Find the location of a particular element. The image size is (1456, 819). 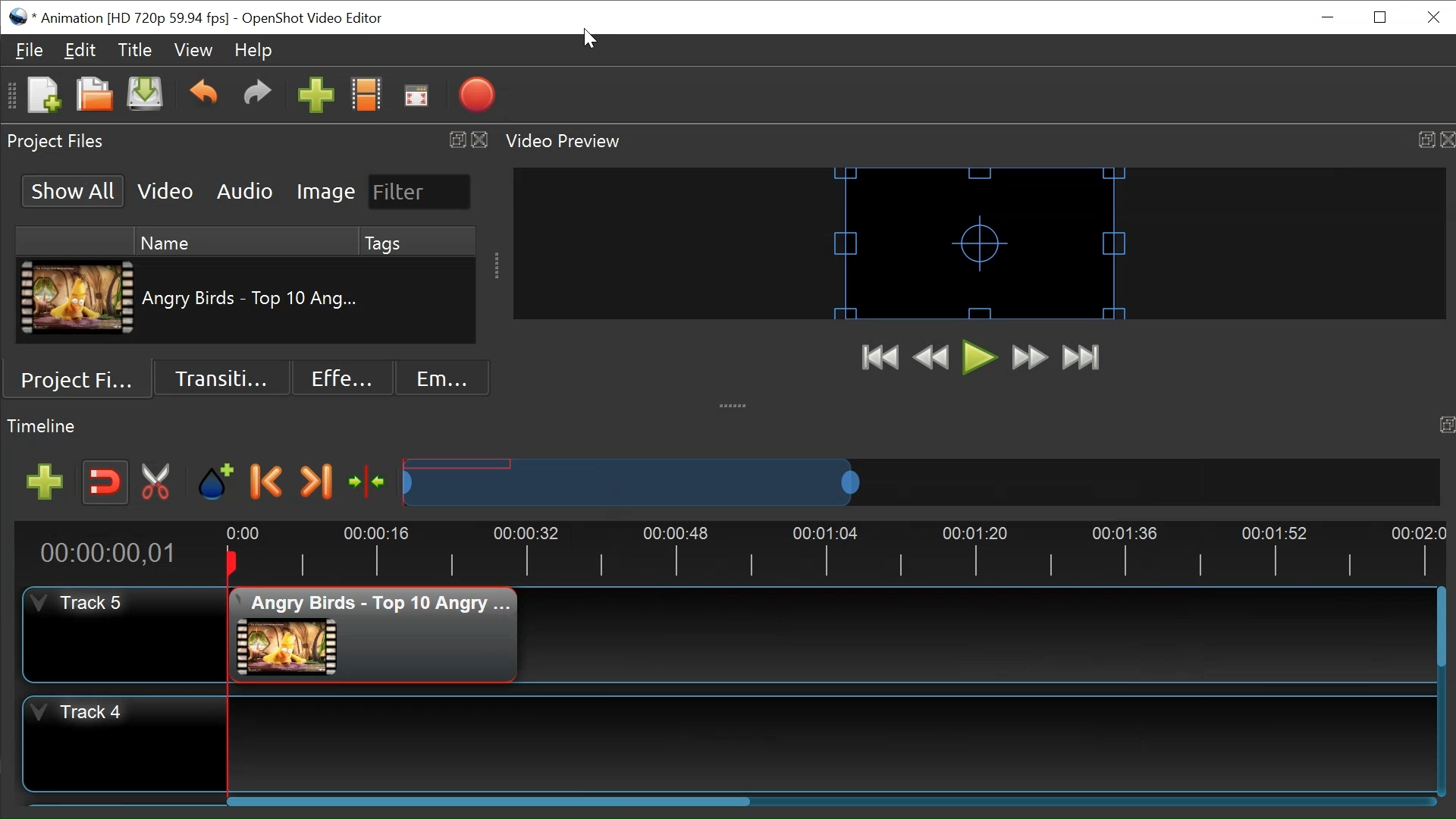

Export Video is located at coordinates (476, 98).